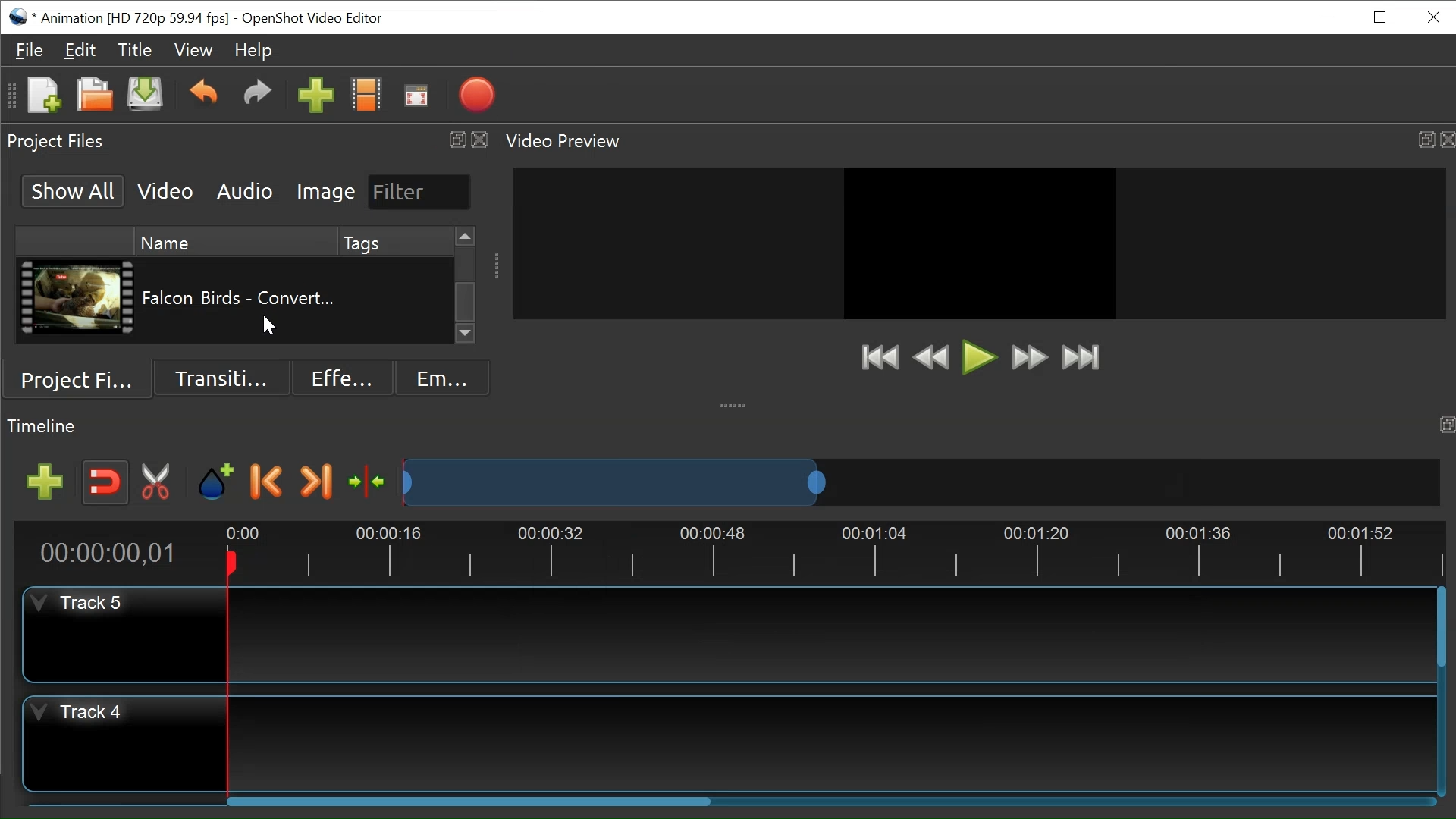 This screenshot has width=1456, height=819. Describe the element at coordinates (145, 95) in the screenshot. I see `Save Project` at that location.